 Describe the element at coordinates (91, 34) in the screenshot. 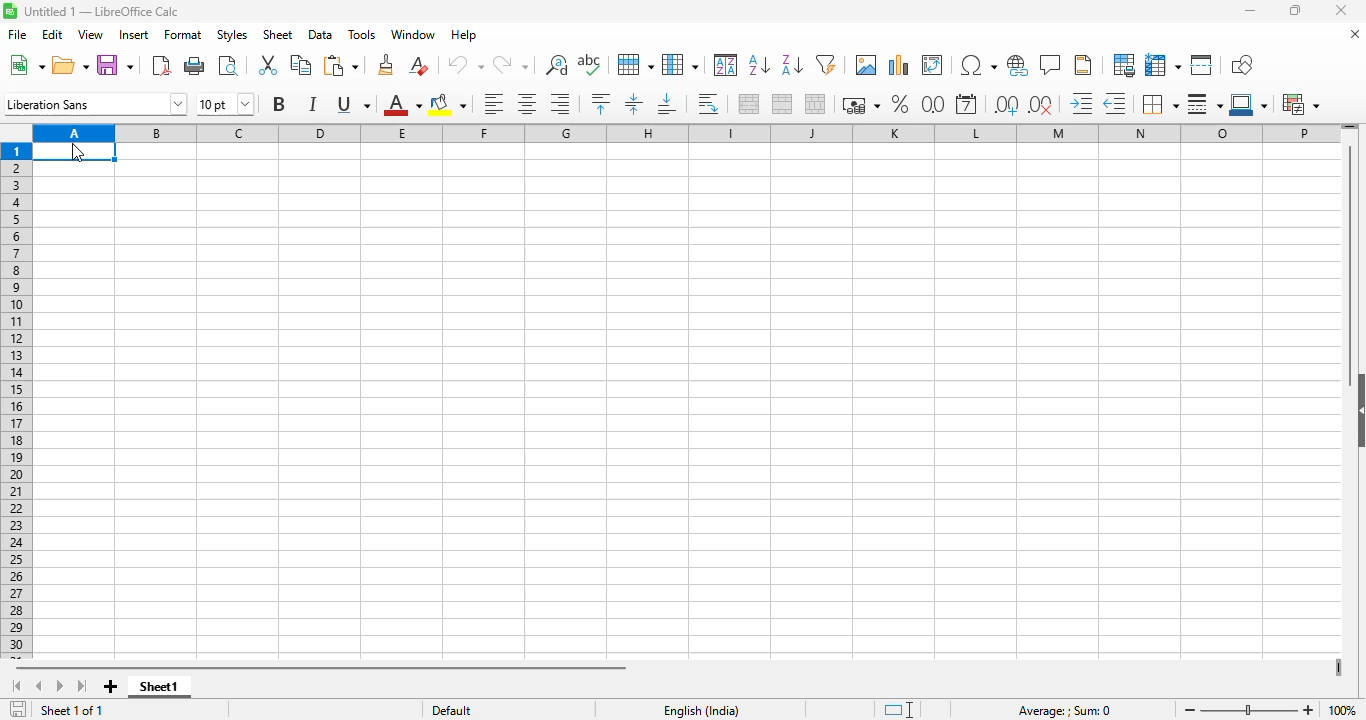

I see `view` at that location.